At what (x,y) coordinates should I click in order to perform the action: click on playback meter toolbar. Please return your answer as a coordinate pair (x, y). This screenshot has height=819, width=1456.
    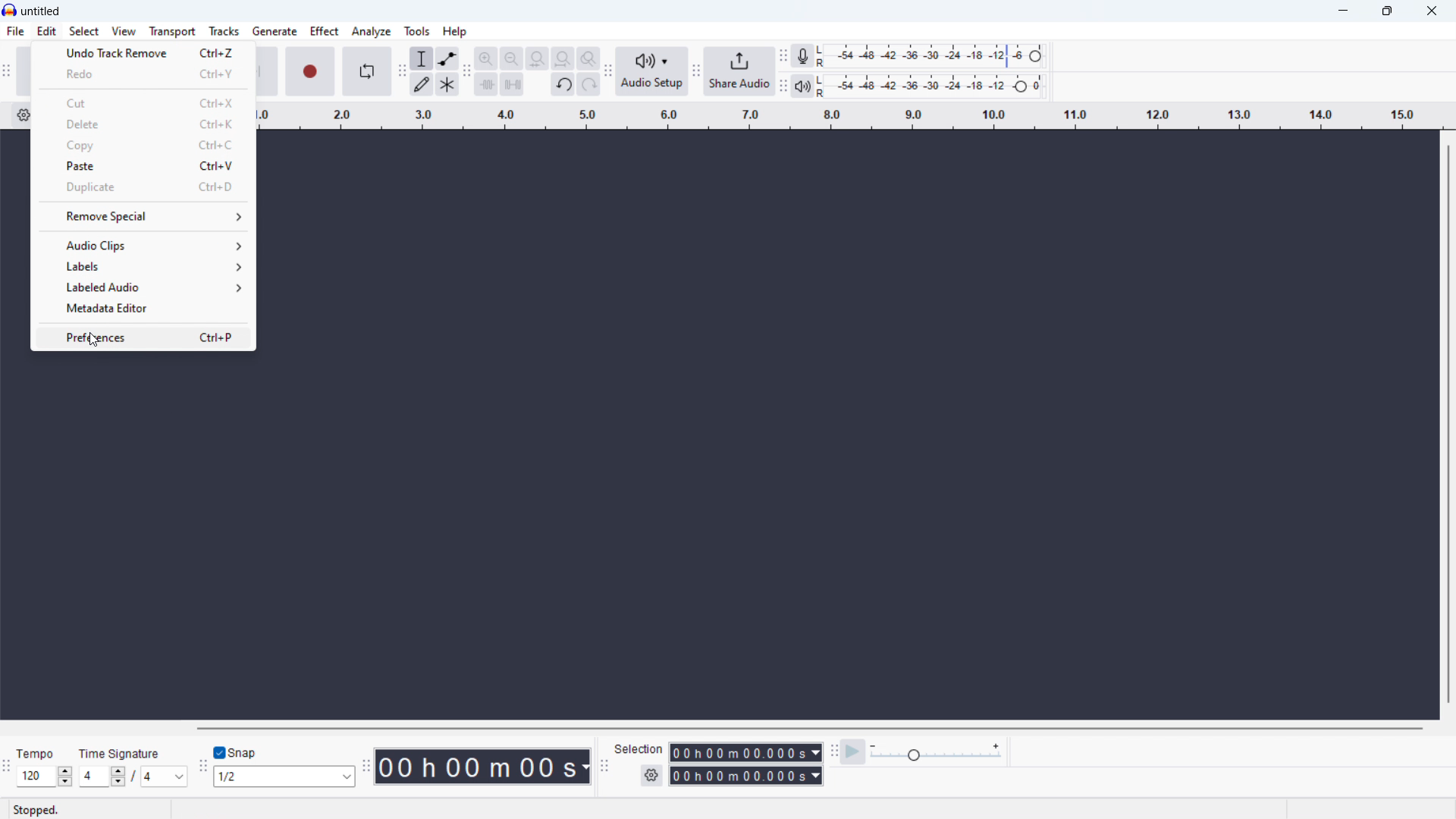
    Looking at the image, I should click on (783, 86).